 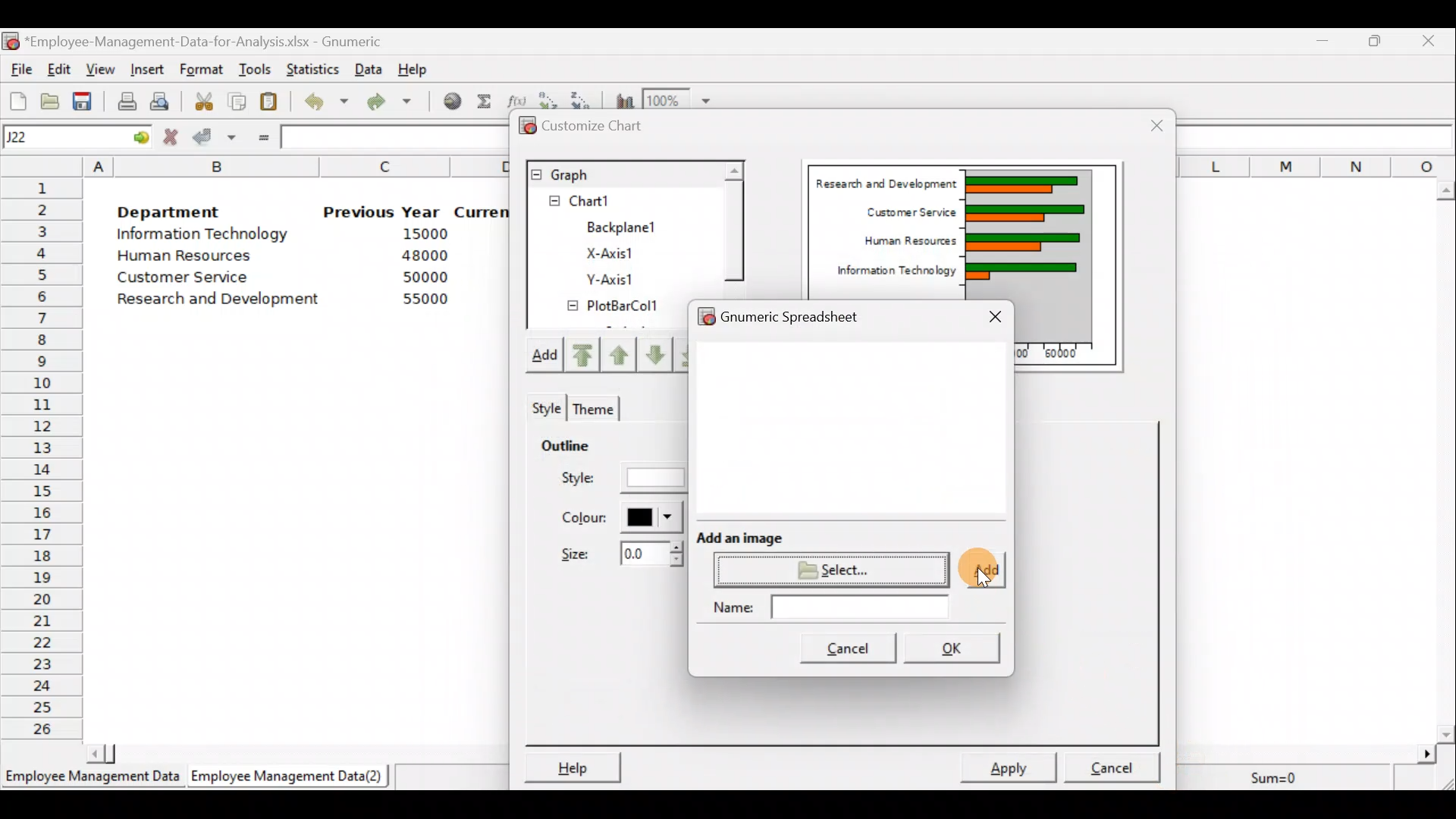 I want to click on Print current file, so click(x=124, y=99).